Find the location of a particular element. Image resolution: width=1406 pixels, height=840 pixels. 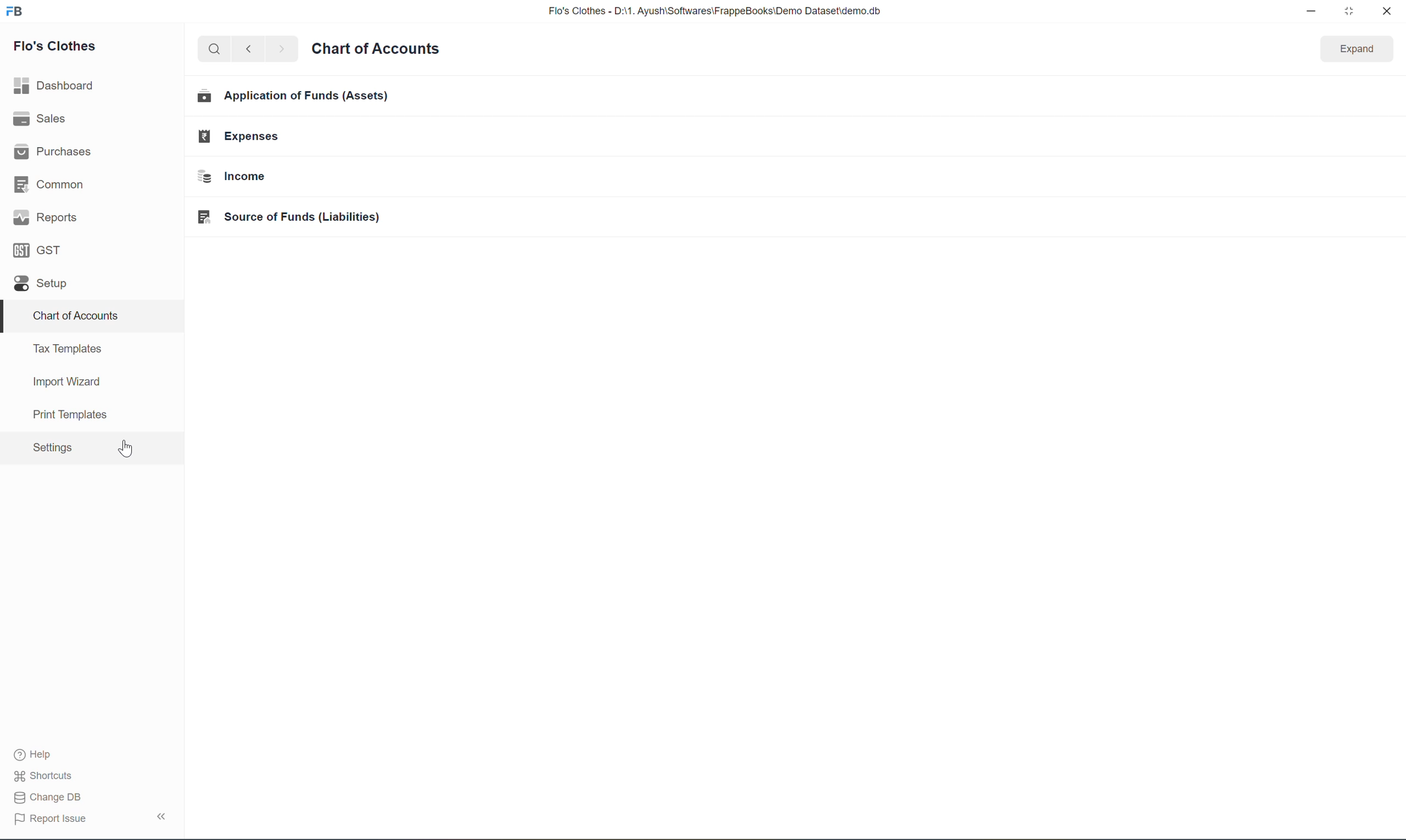

Expenses is located at coordinates (248, 136).